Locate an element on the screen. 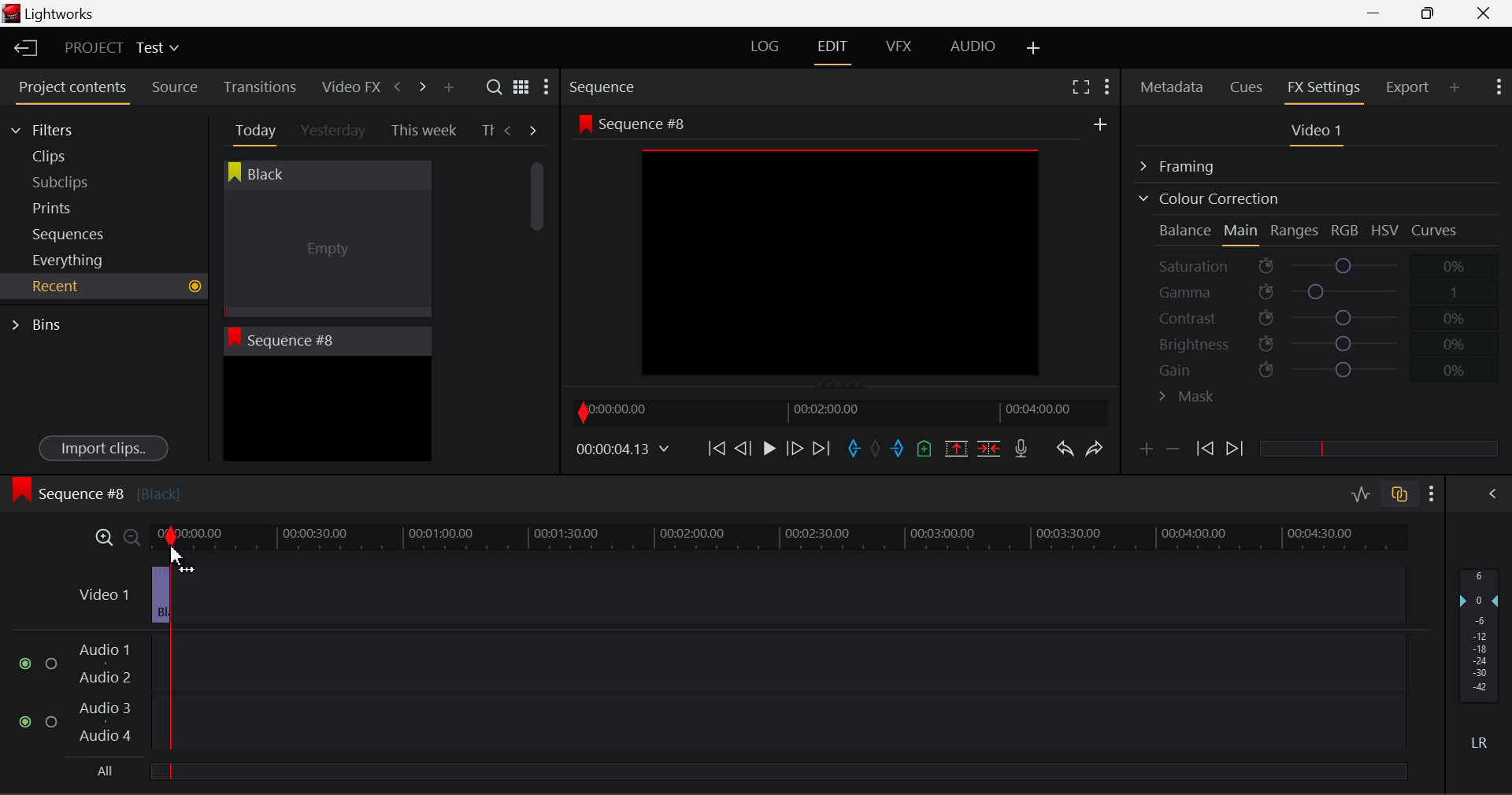 Image resolution: width=1512 pixels, height=795 pixels. Previous Panel is located at coordinates (397, 87).